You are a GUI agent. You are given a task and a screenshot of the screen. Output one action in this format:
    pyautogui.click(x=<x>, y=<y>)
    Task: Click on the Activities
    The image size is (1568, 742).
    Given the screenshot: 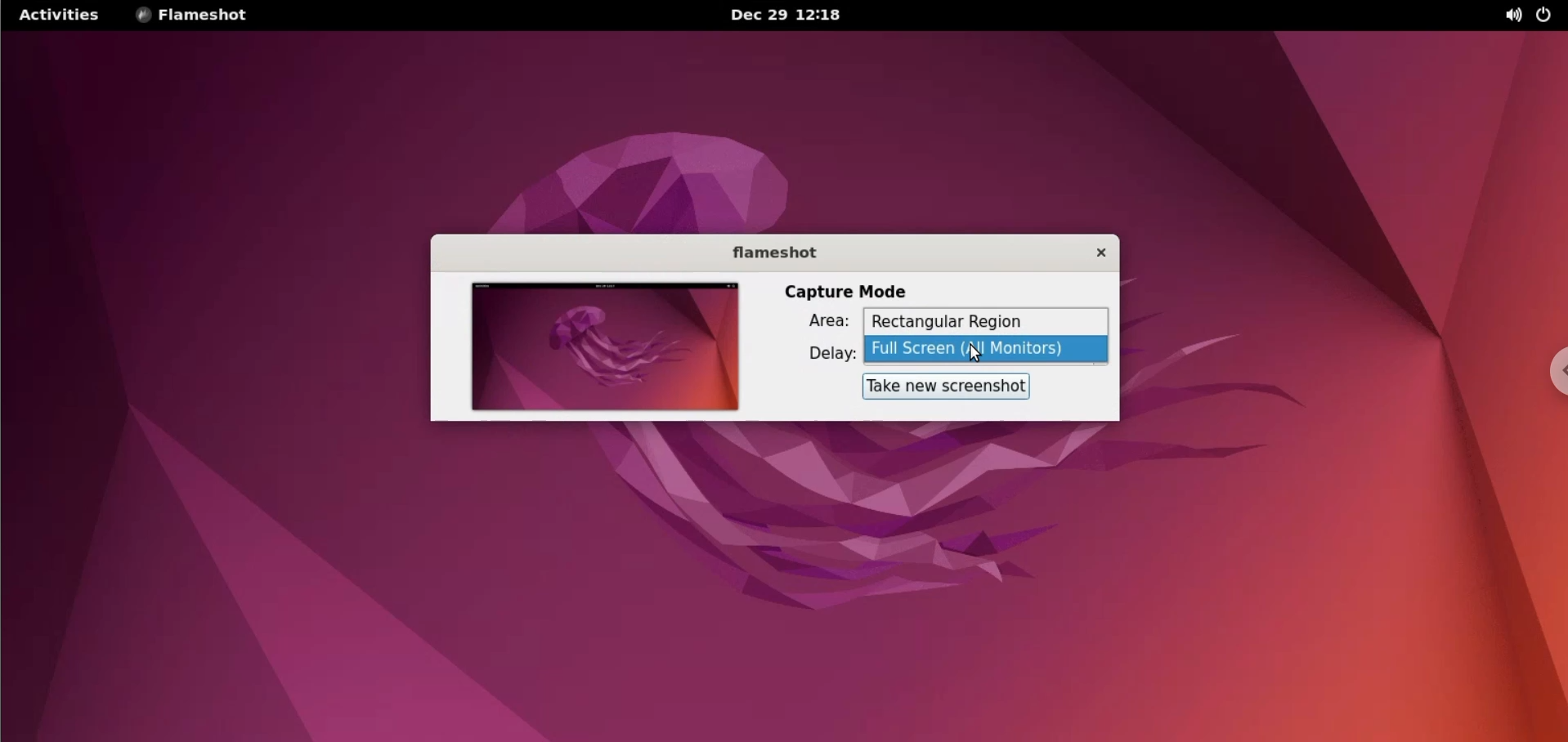 What is the action you would take?
    pyautogui.click(x=58, y=16)
    